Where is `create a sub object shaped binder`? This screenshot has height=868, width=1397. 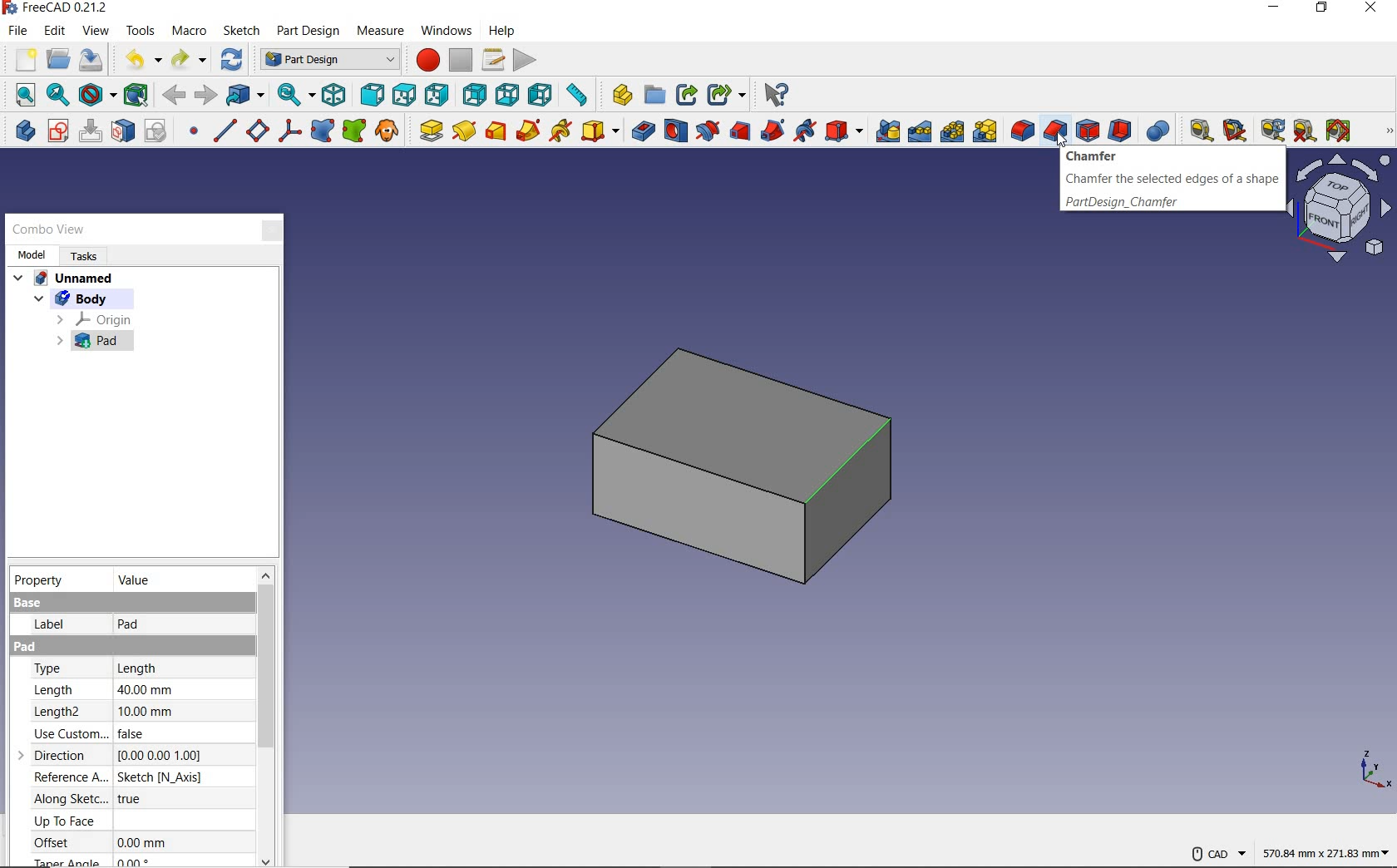 create a sub object shaped binder is located at coordinates (354, 131).